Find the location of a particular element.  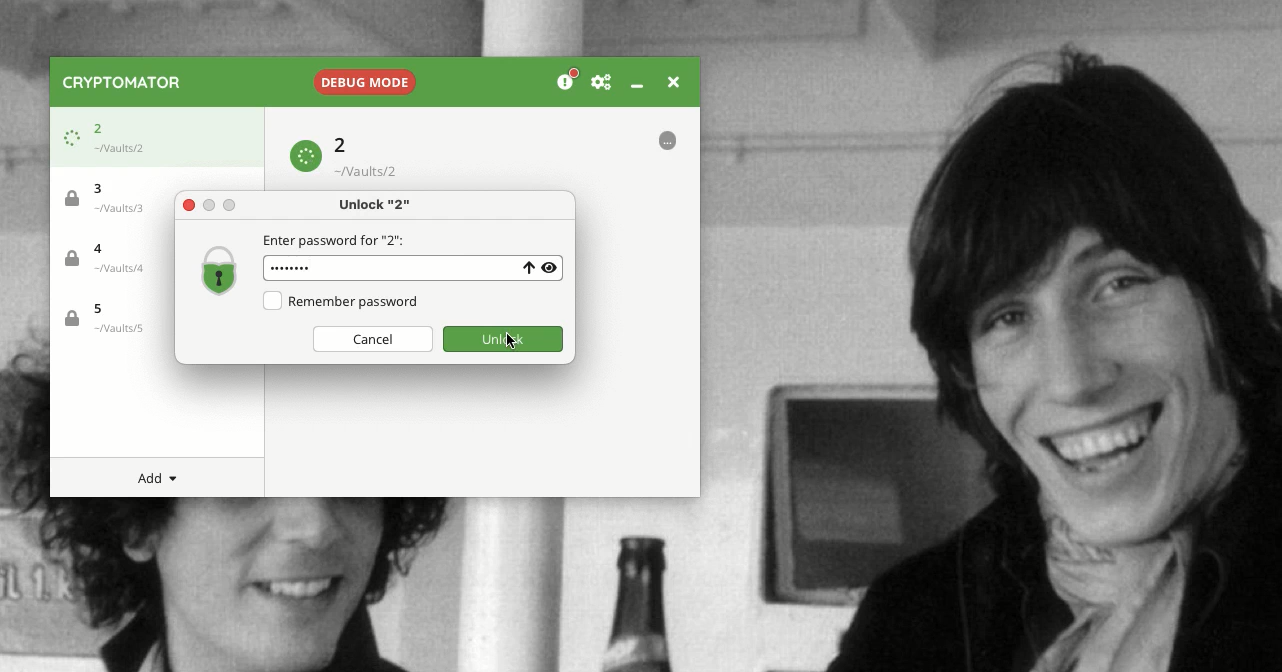

cursor is located at coordinates (509, 340).